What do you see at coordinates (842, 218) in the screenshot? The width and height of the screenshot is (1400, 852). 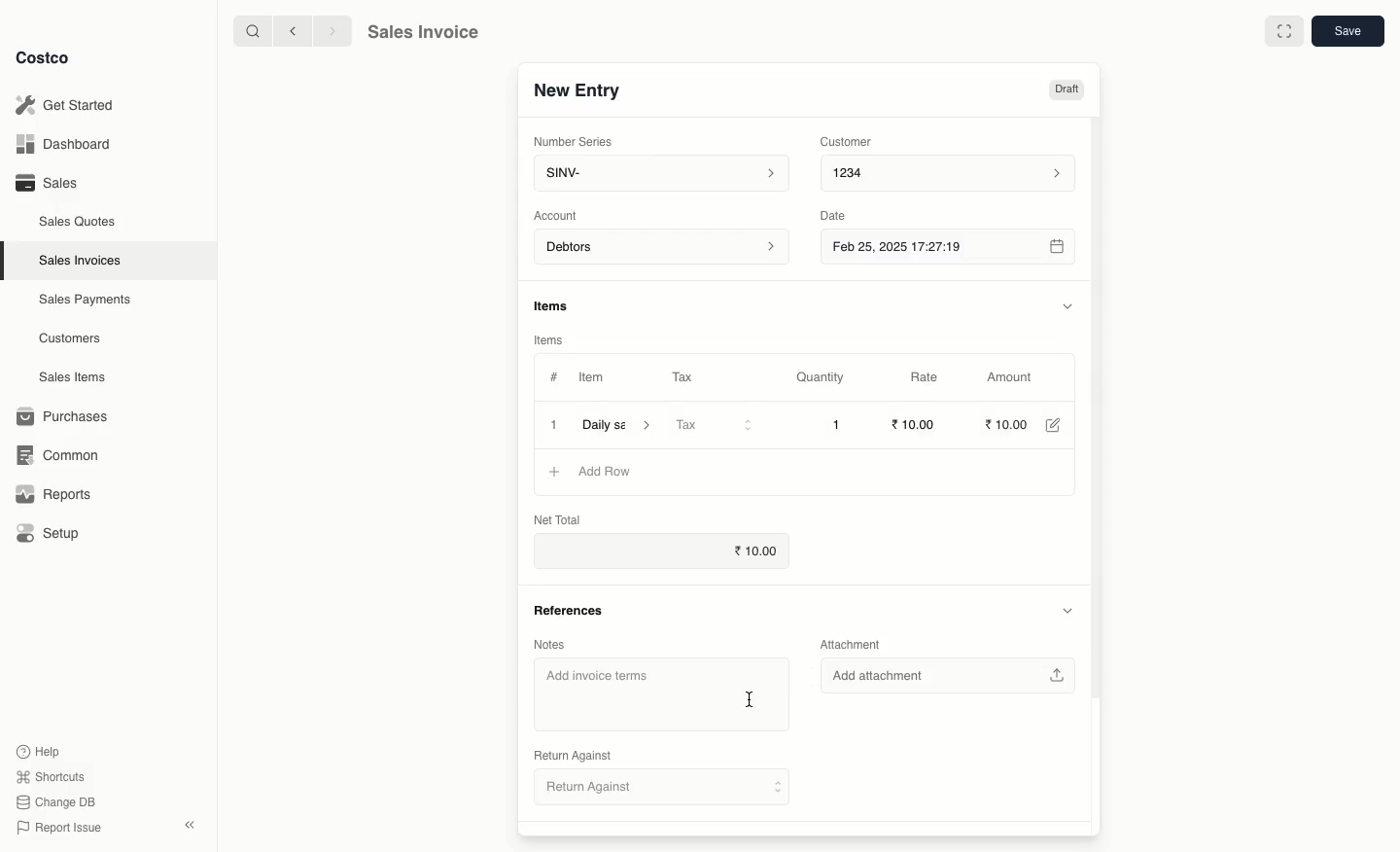 I see `Date` at bounding box center [842, 218].